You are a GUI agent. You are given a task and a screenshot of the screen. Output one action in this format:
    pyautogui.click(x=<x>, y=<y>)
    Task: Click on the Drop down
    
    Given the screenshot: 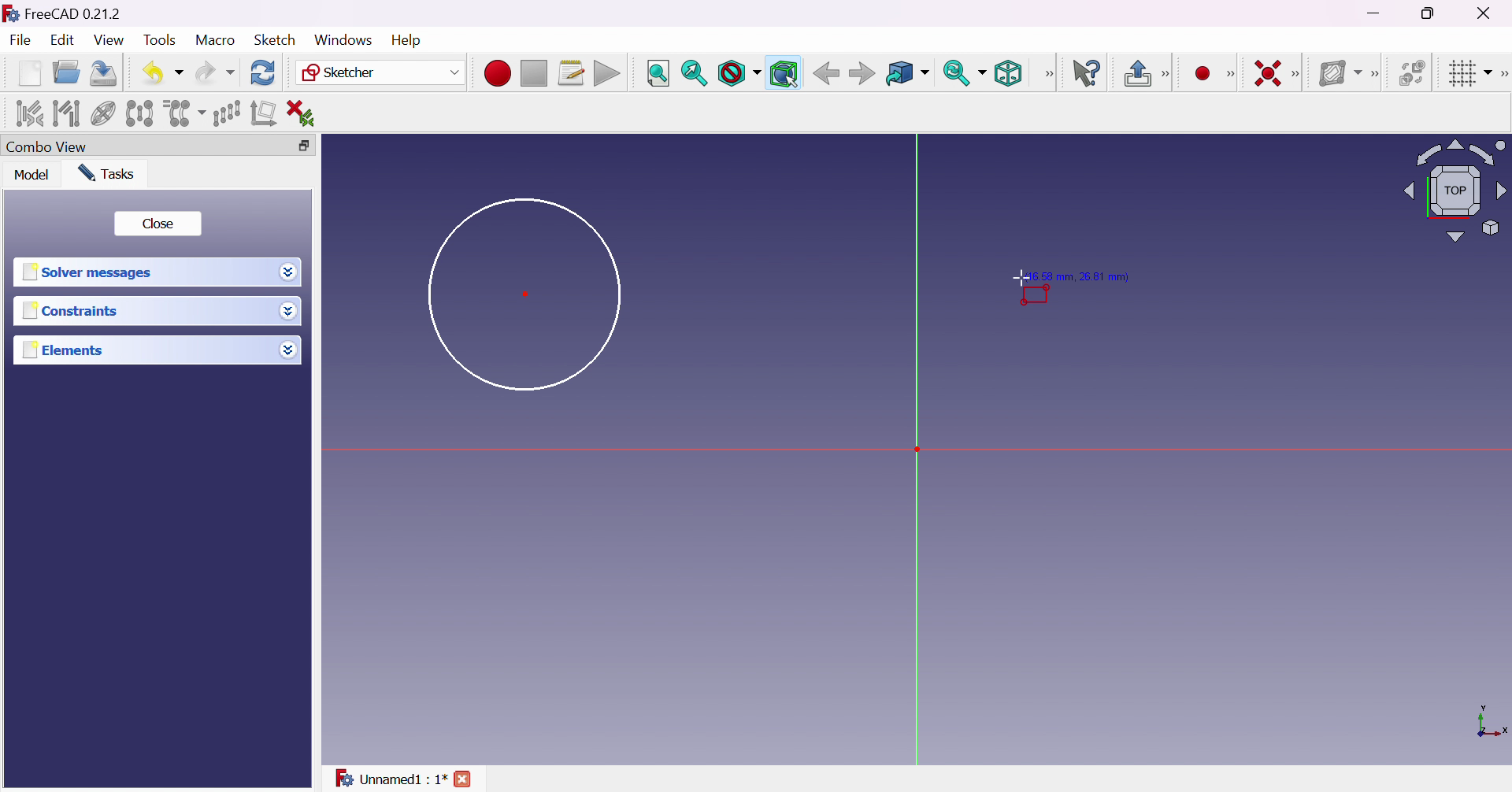 What is the action you would take?
    pyautogui.click(x=289, y=272)
    